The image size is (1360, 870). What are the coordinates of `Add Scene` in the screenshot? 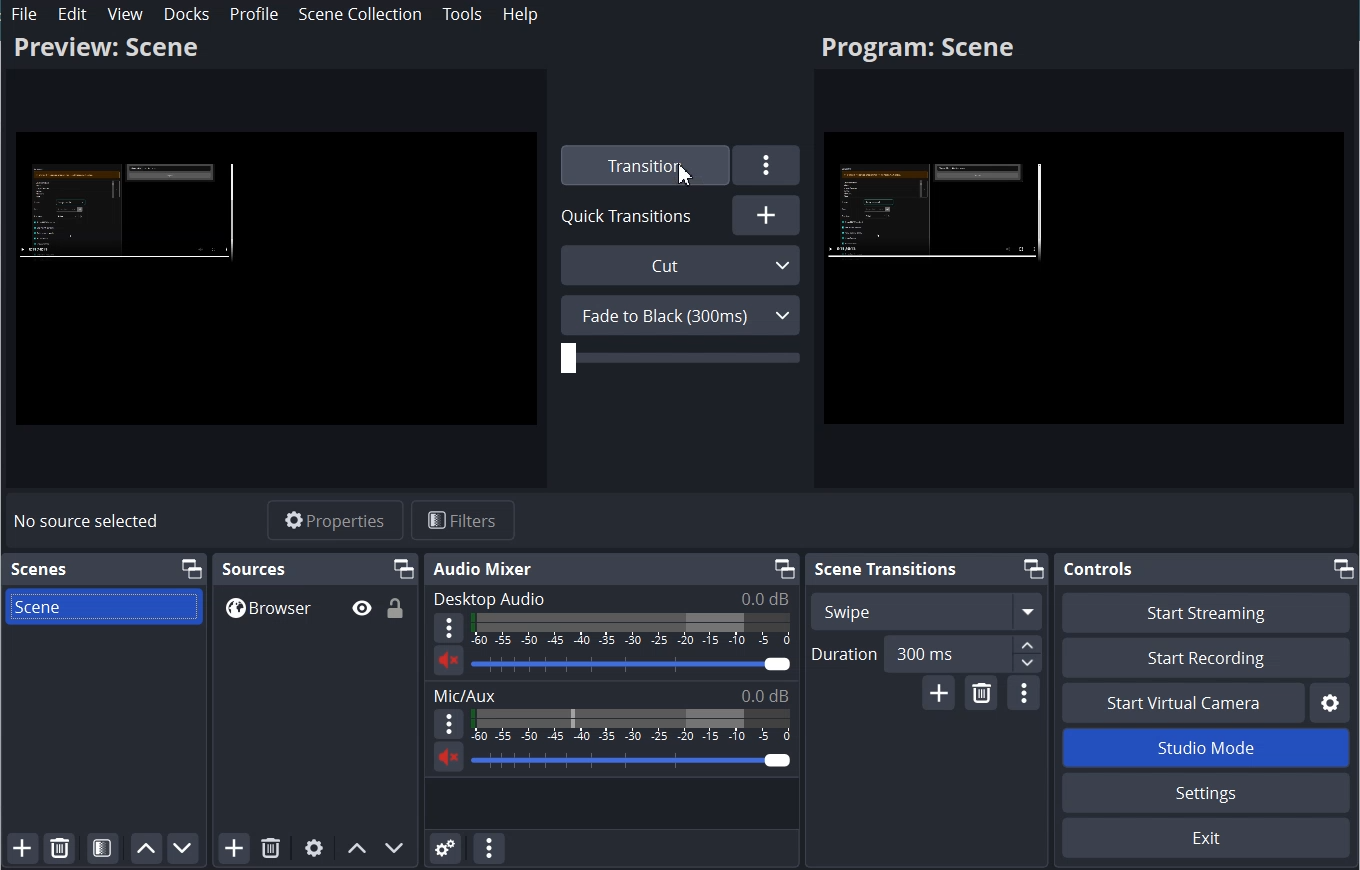 It's located at (22, 848).